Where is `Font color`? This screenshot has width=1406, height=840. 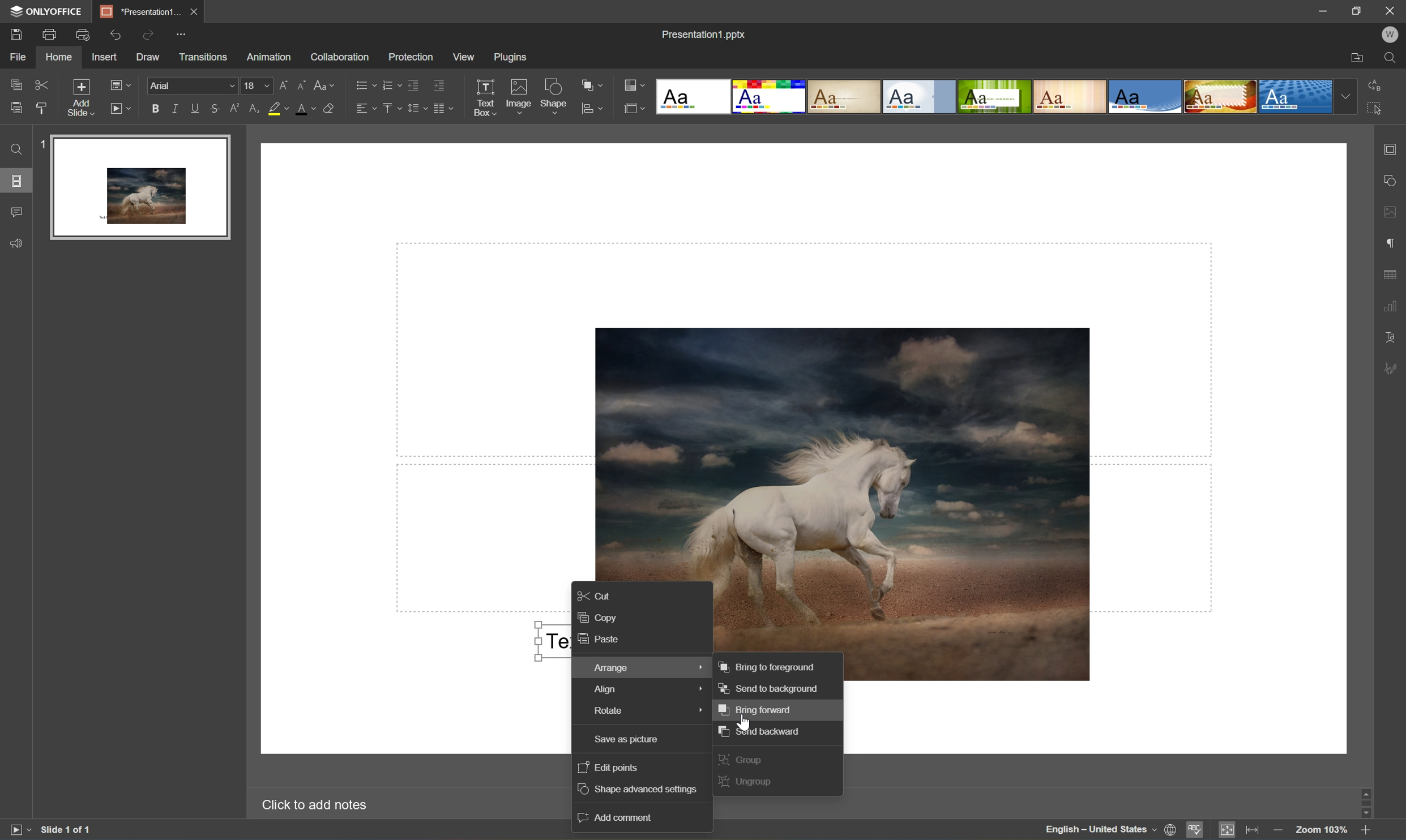 Font color is located at coordinates (305, 109).